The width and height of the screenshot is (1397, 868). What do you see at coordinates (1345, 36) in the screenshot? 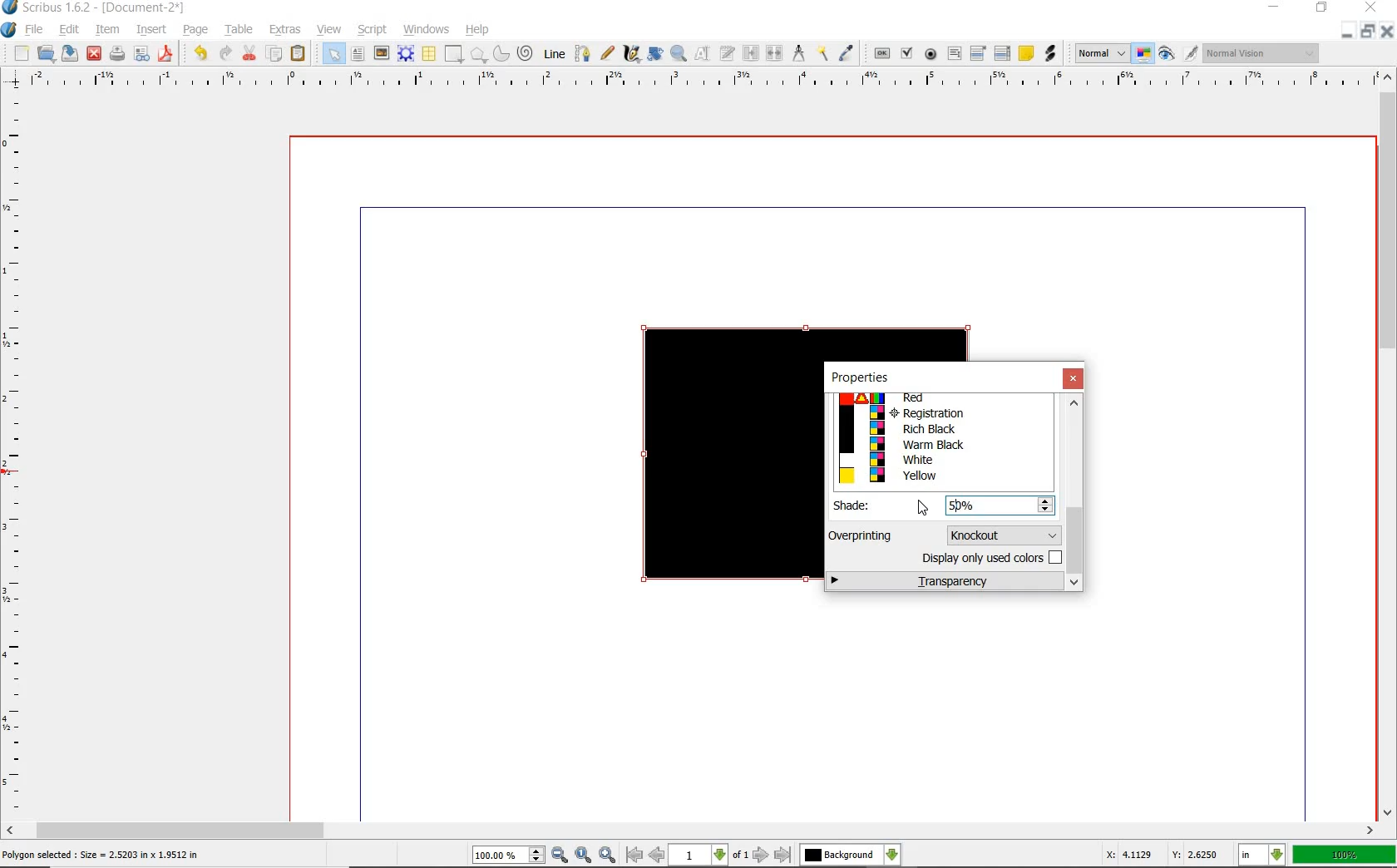
I see `MINIMIZE` at bounding box center [1345, 36].